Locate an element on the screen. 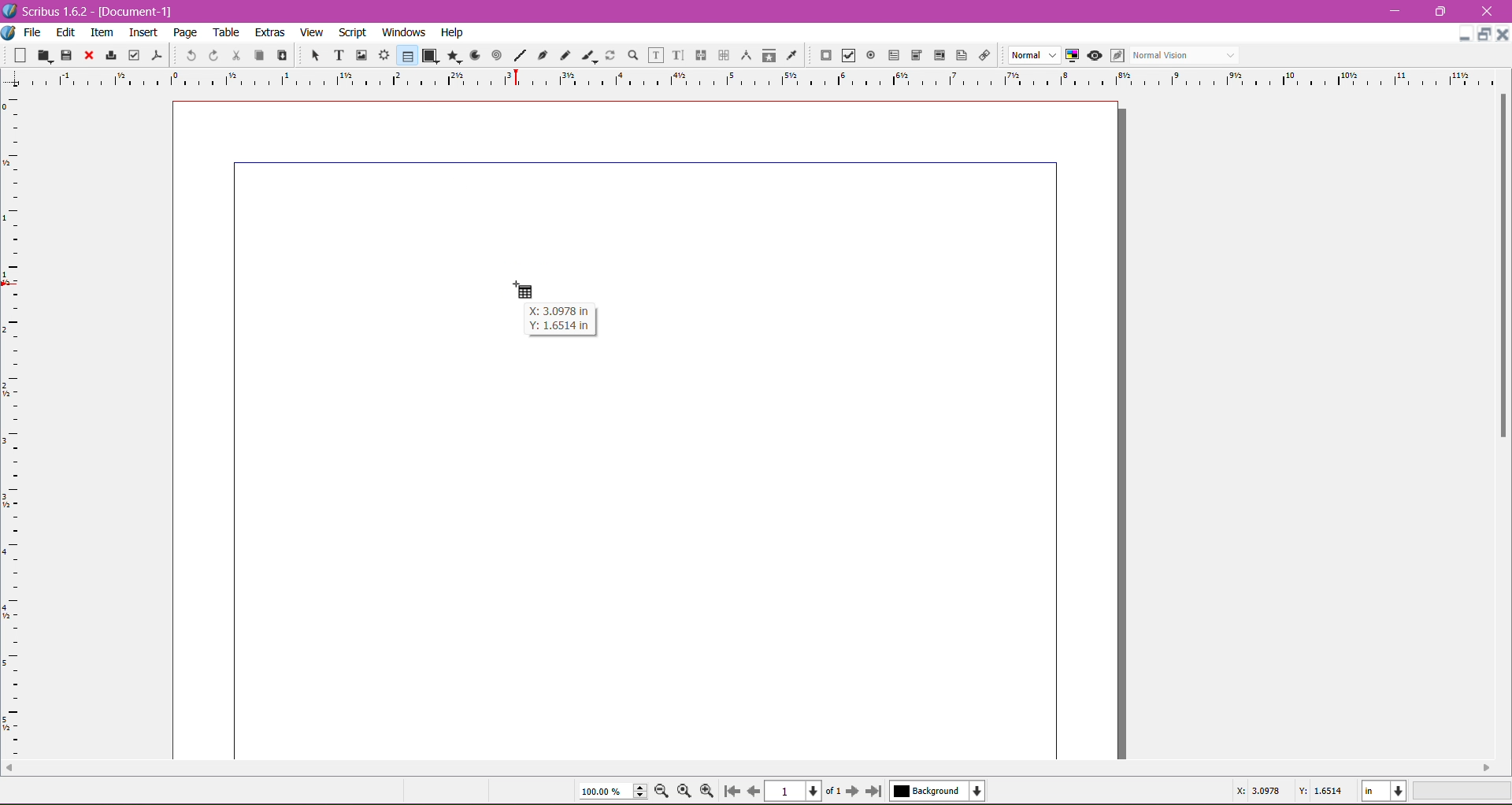  Copy is located at coordinates (257, 54).